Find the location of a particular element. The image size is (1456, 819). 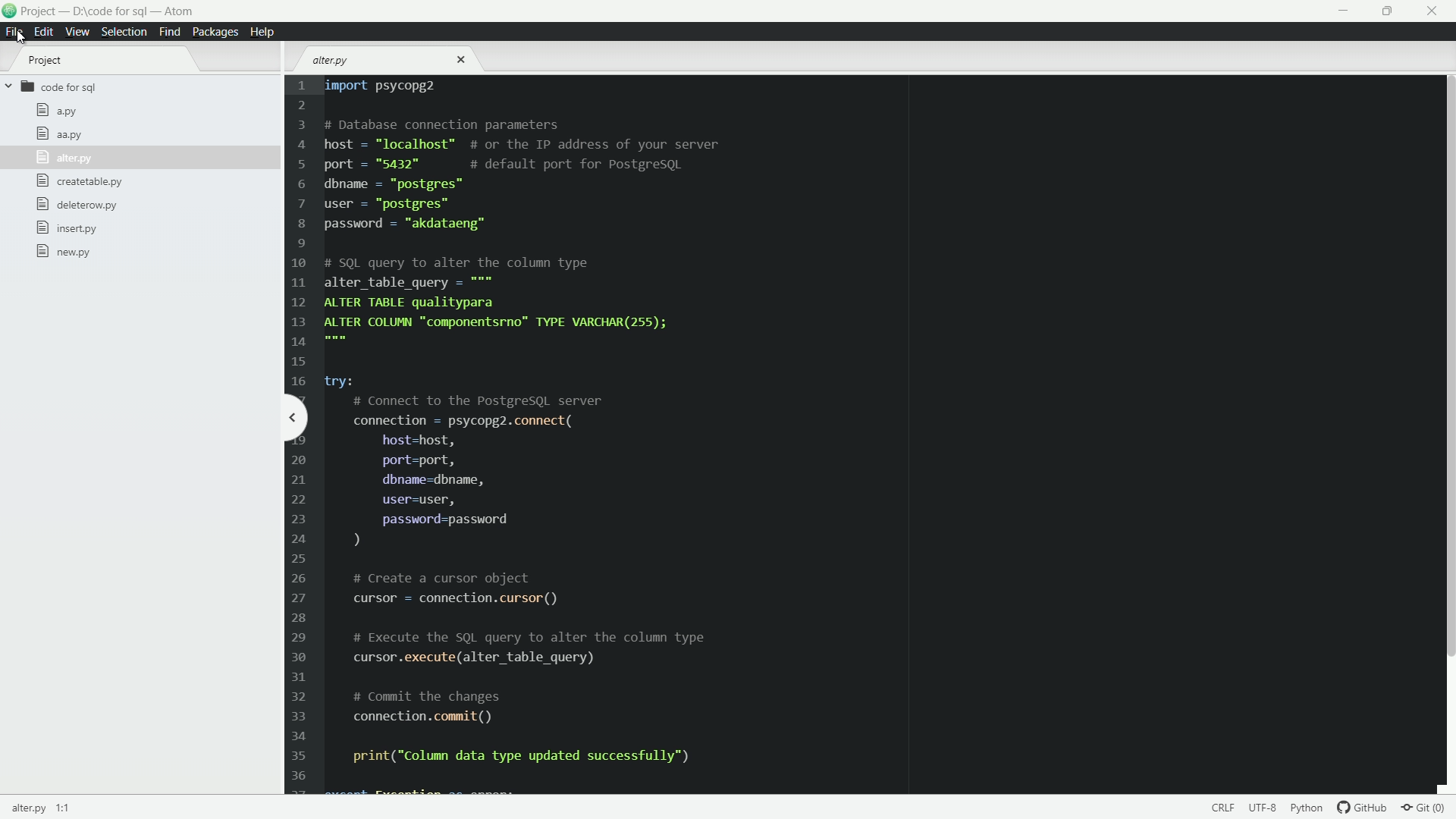

alter.py file is located at coordinates (63, 157).